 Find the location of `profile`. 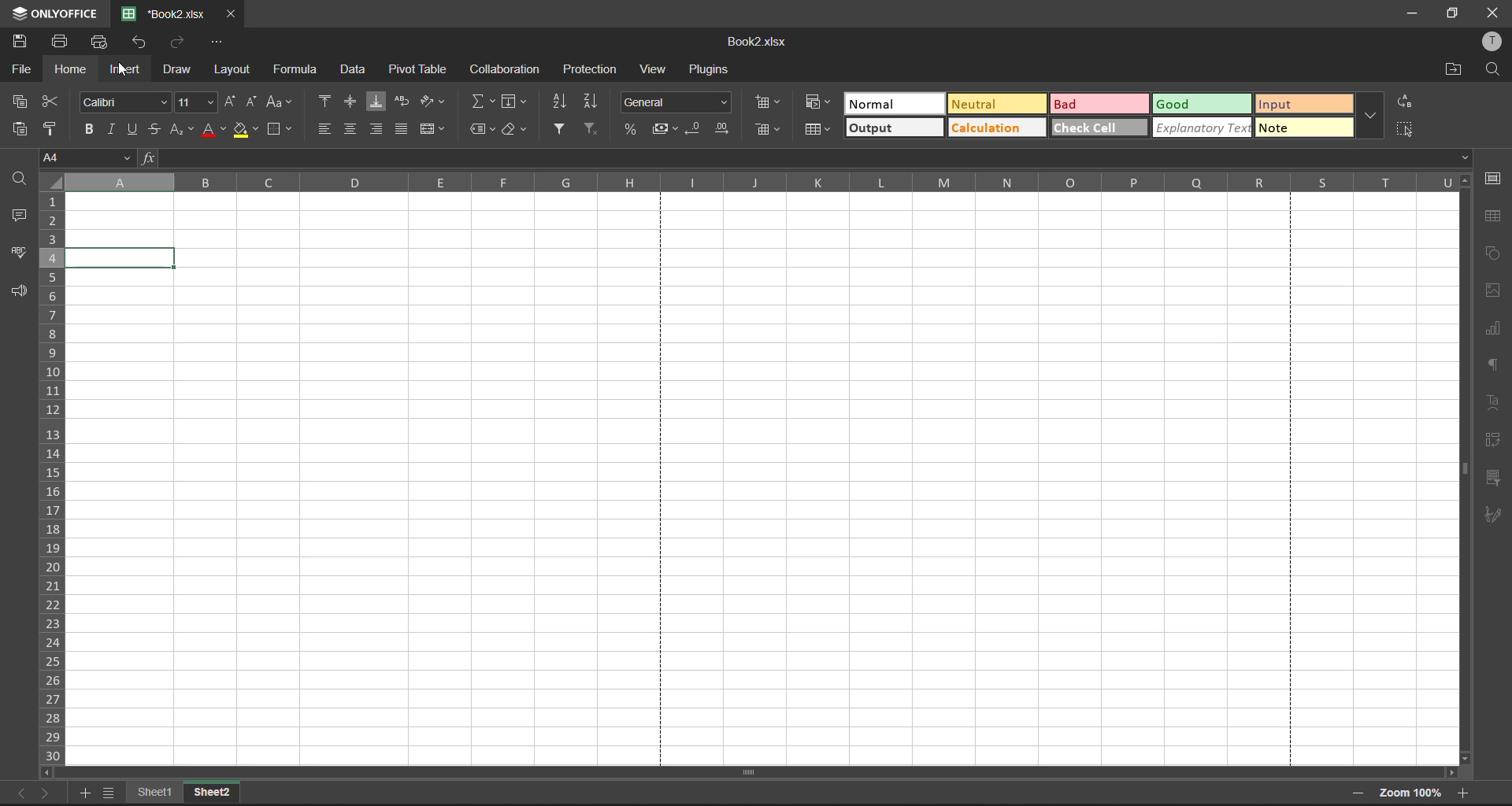

profile is located at coordinates (1492, 42).